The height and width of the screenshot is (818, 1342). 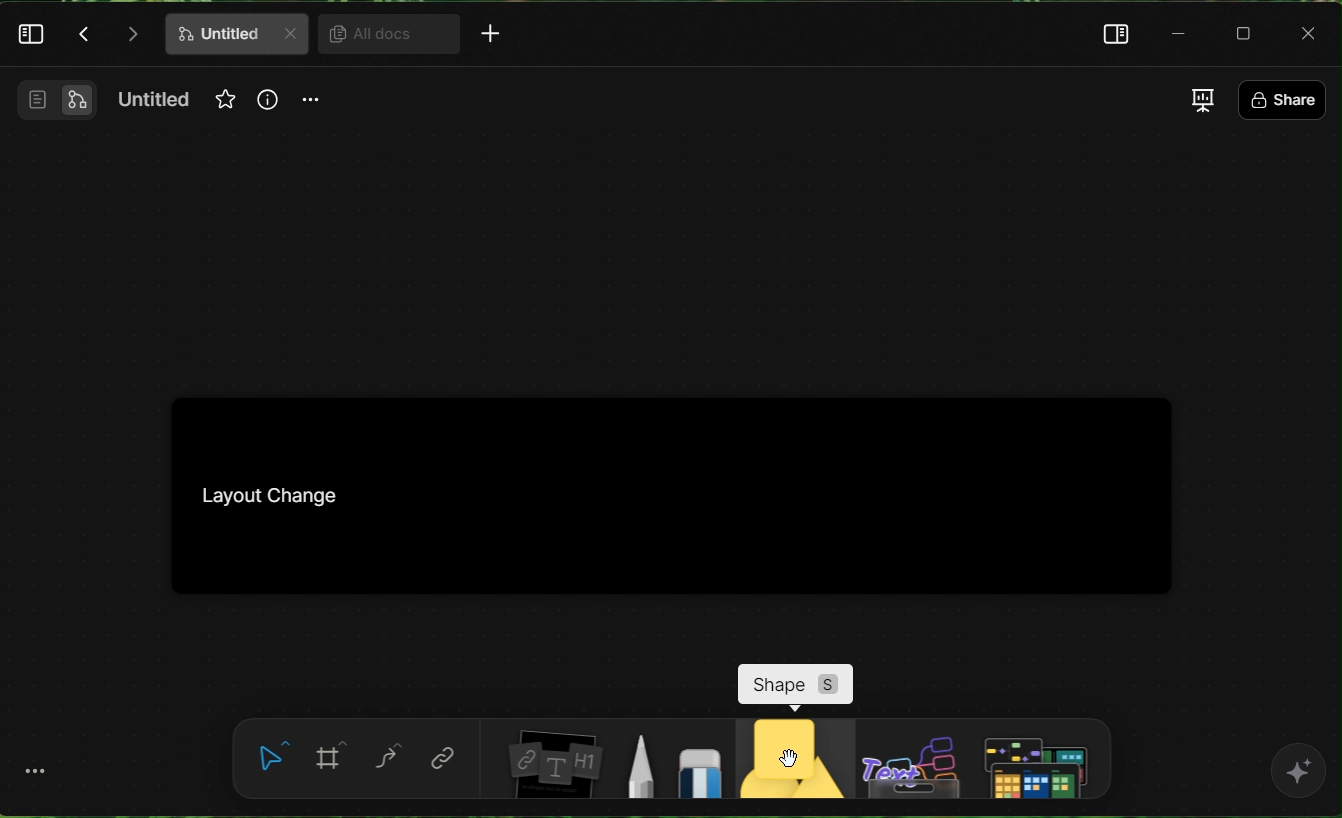 I want to click on curve, so click(x=389, y=756).